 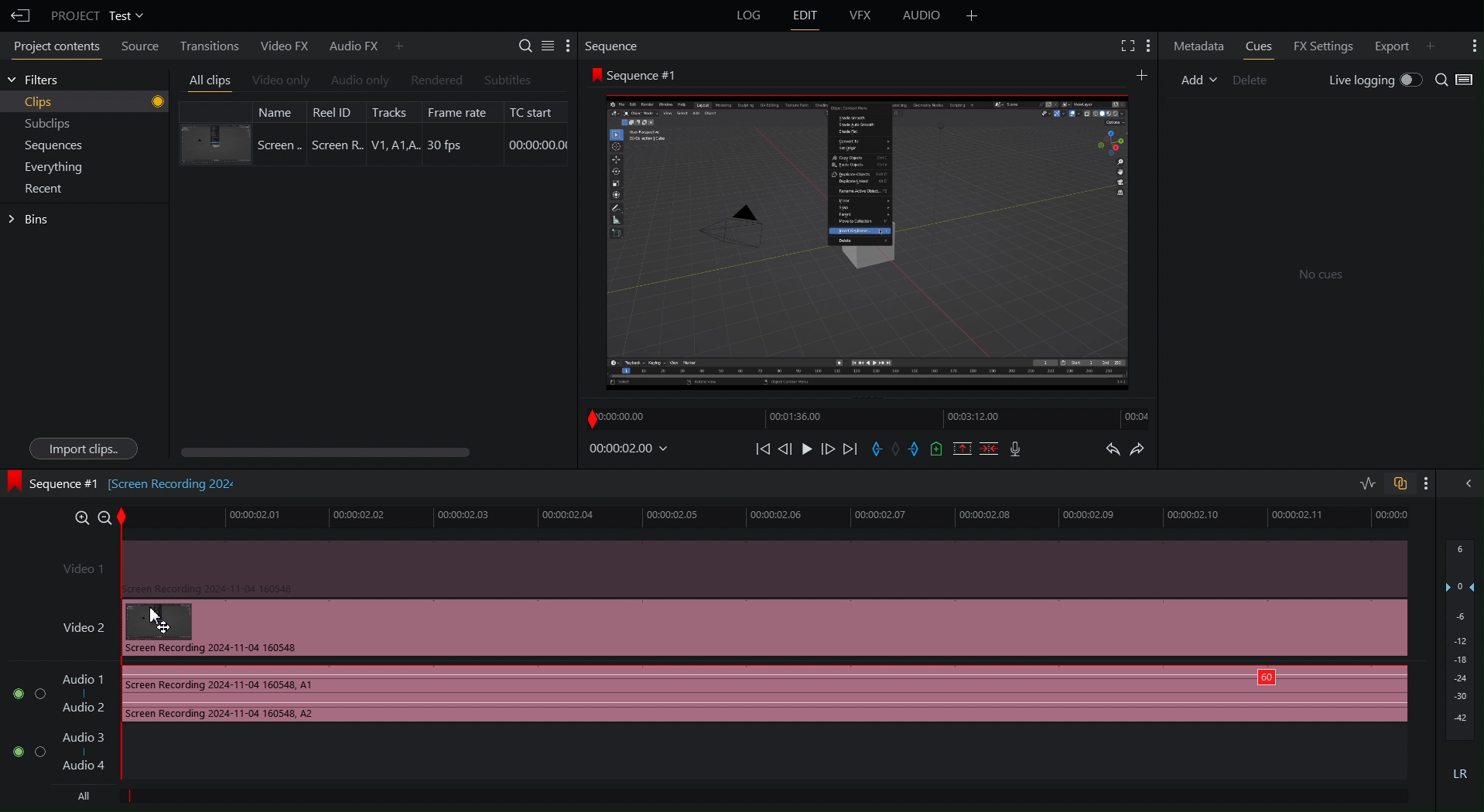 I want to click on Settings, so click(x=542, y=47).